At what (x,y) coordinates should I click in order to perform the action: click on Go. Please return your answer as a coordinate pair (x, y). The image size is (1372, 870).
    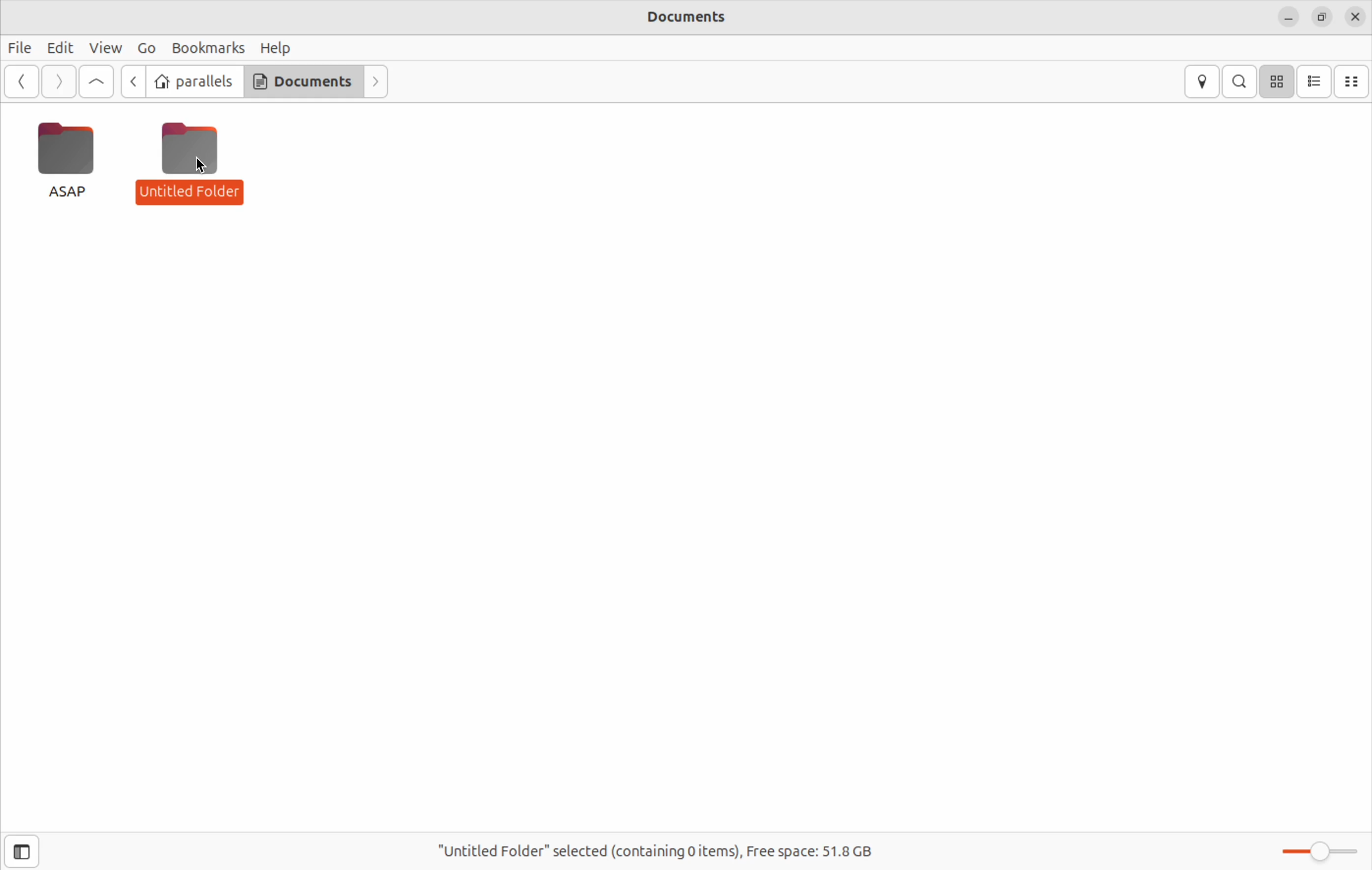
    Looking at the image, I should click on (145, 48).